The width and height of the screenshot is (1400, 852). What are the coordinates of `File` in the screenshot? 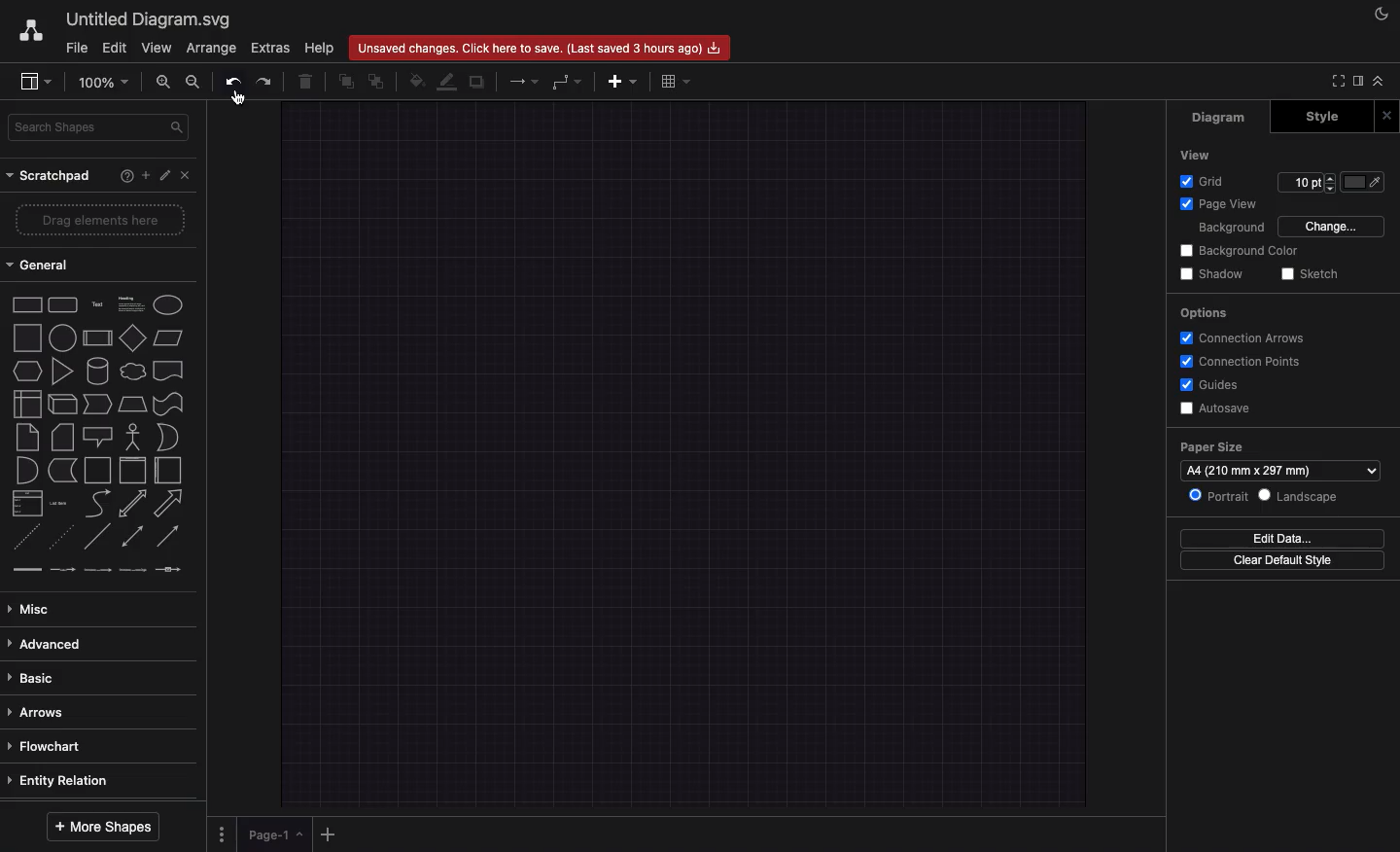 It's located at (75, 49).